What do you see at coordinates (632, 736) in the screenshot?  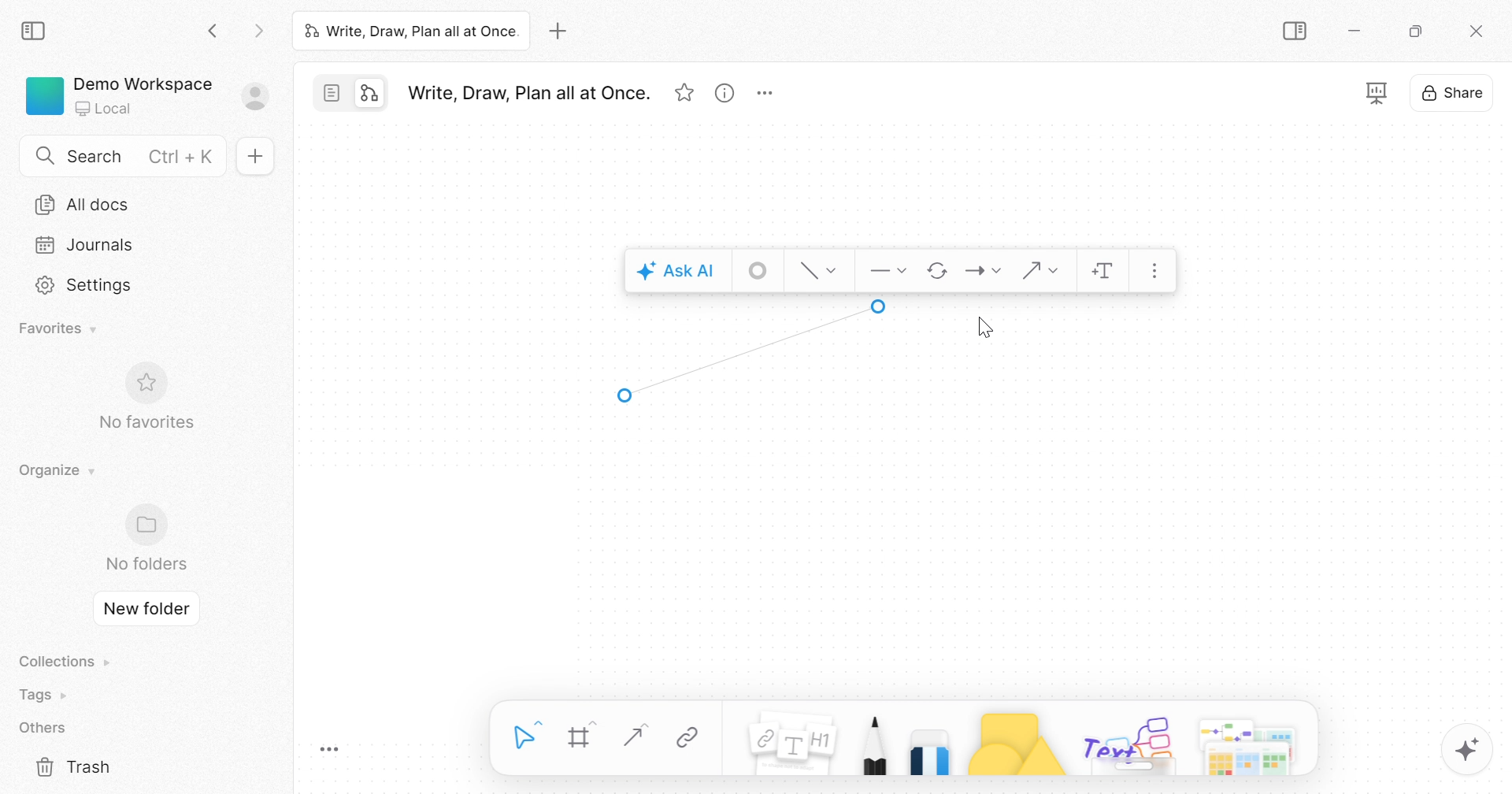 I see `Straight` at bounding box center [632, 736].